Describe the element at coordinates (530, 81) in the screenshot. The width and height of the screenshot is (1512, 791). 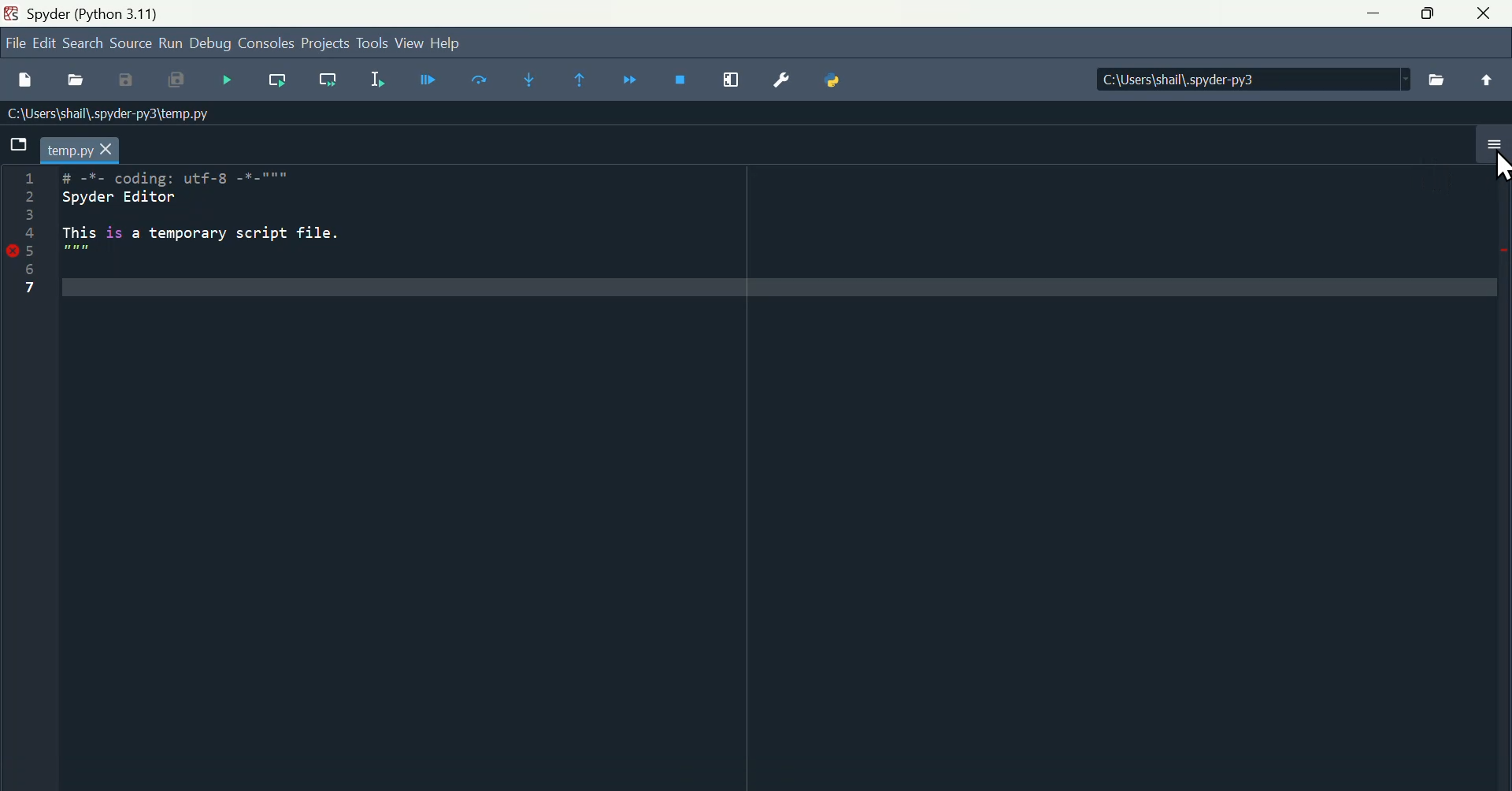
I see `Step into function` at that location.